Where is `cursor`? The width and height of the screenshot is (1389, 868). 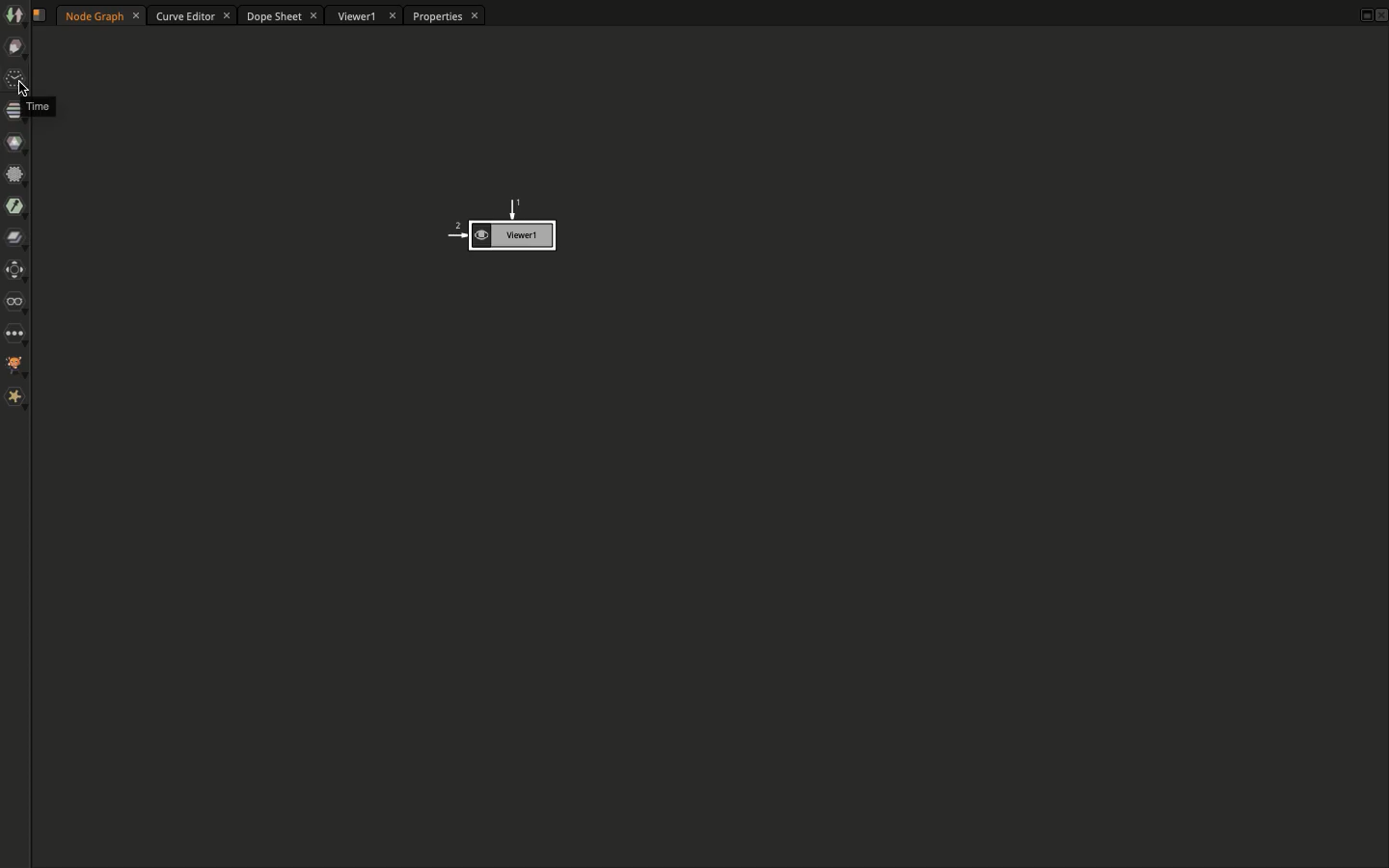
cursor is located at coordinates (22, 89).